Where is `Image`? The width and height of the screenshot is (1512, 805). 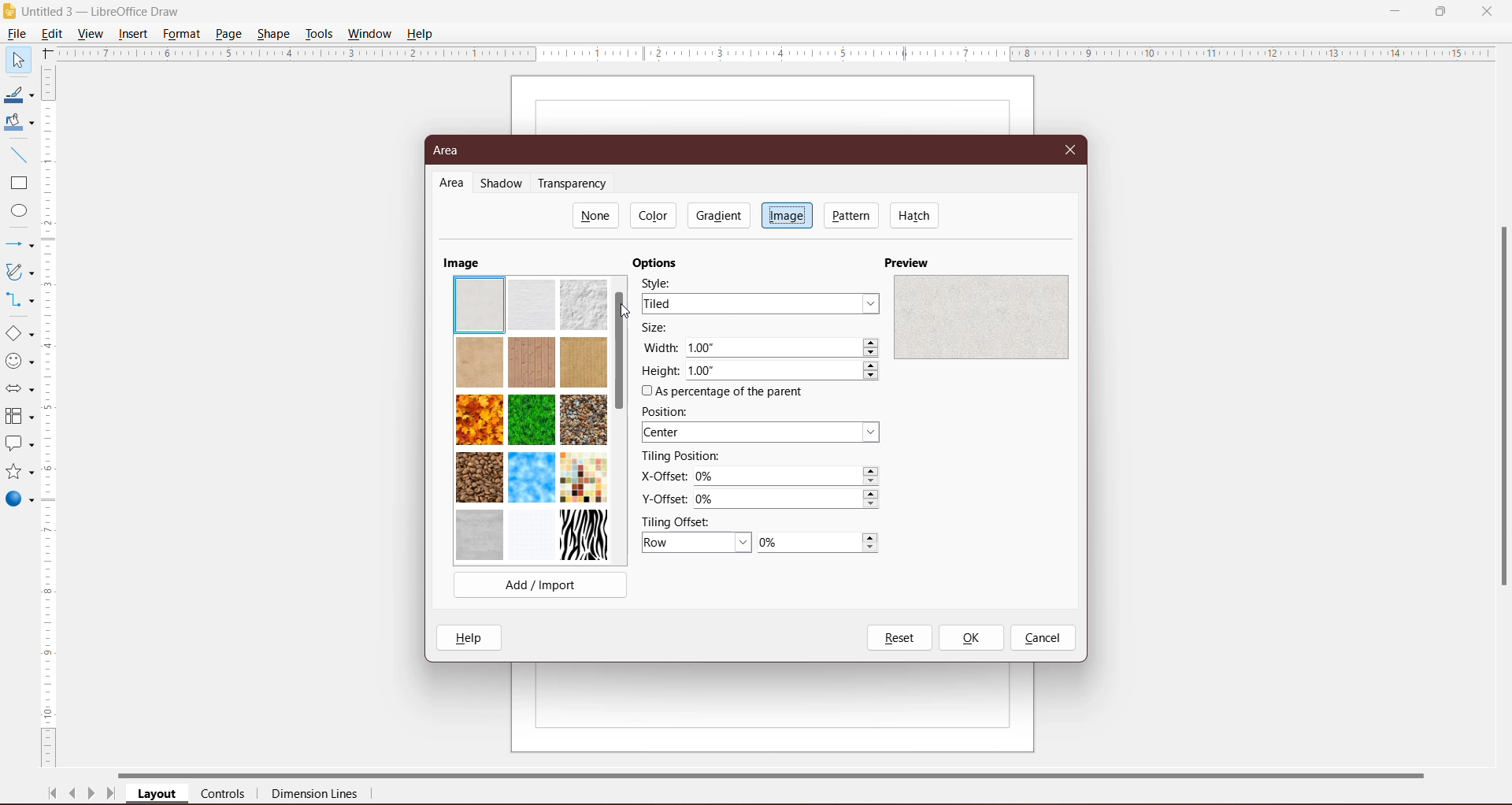 Image is located at coordinates (787, 214).